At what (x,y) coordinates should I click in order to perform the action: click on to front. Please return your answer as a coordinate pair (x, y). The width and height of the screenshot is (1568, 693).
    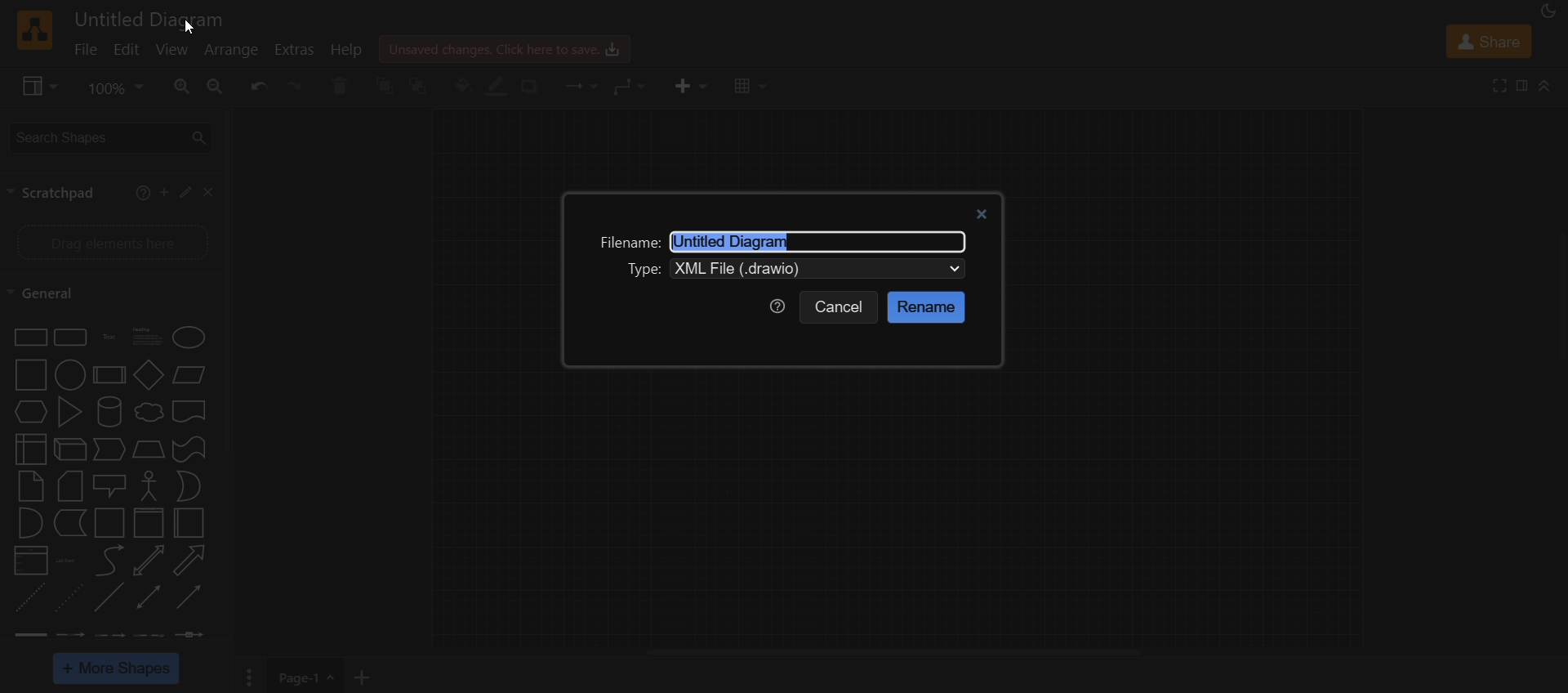
    Looking at the image, I should click on (387, 84).